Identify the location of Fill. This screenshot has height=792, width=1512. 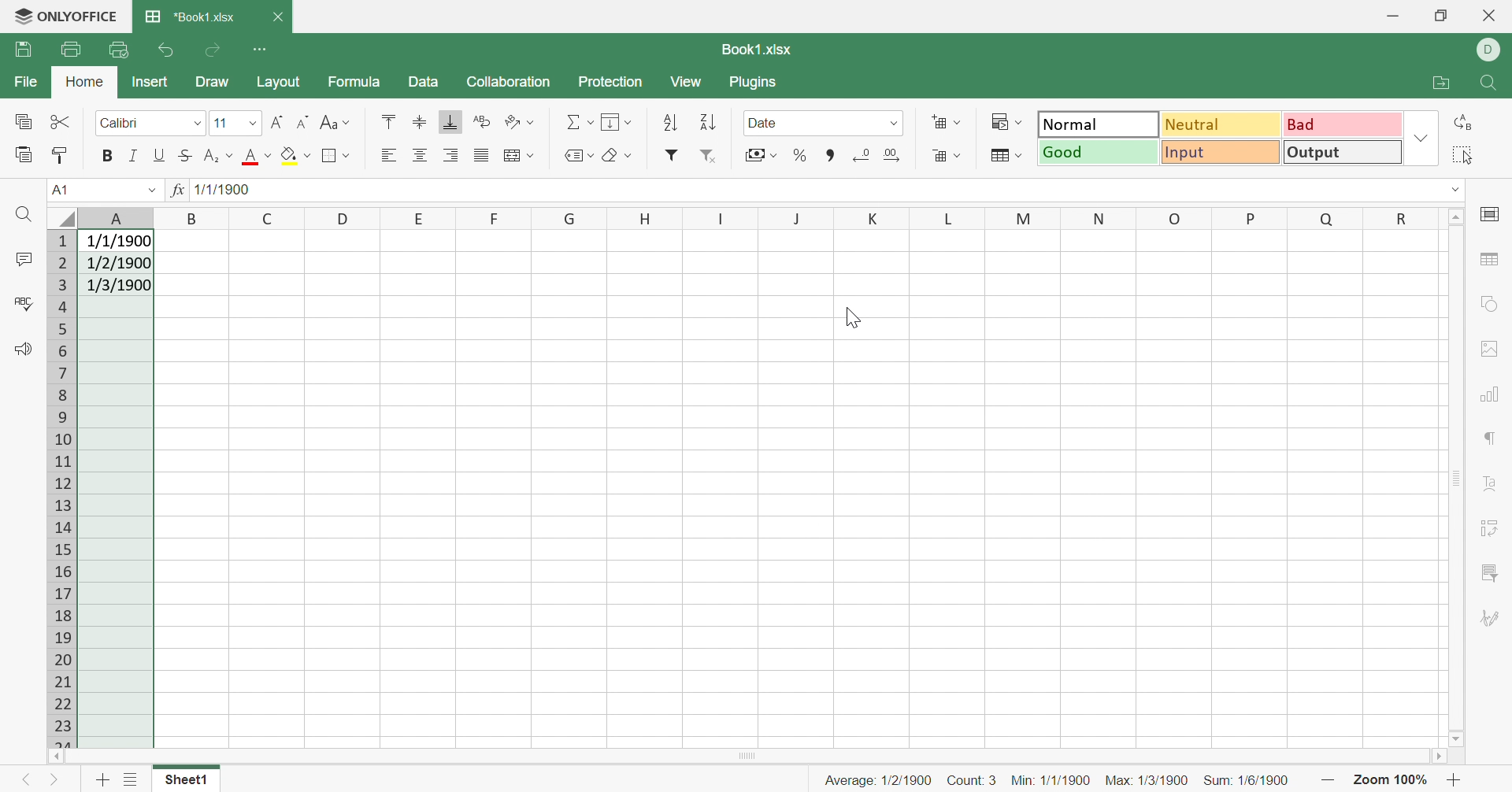
(615, 121).